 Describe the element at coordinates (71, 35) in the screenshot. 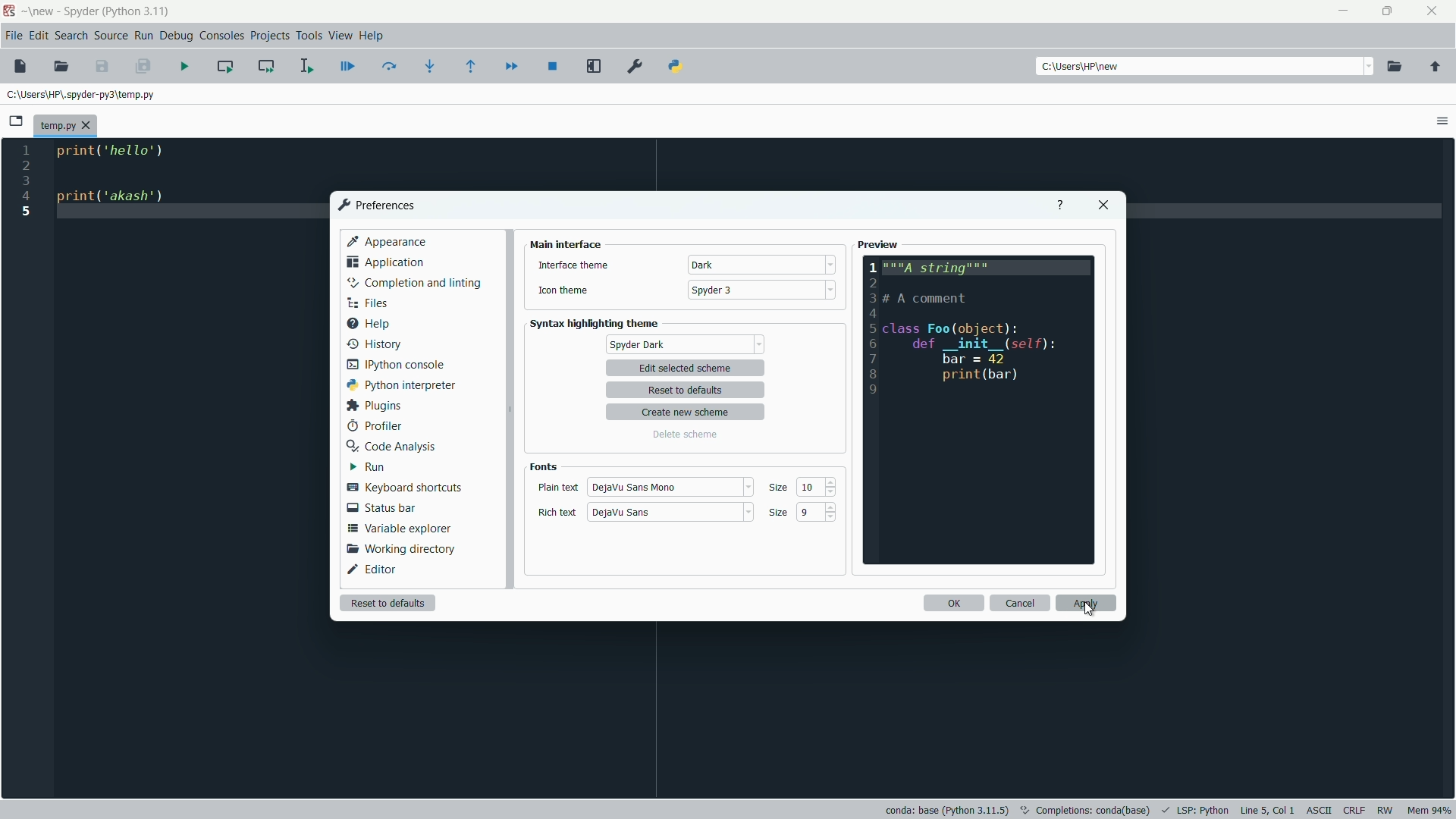

I see `search menu` at that location.